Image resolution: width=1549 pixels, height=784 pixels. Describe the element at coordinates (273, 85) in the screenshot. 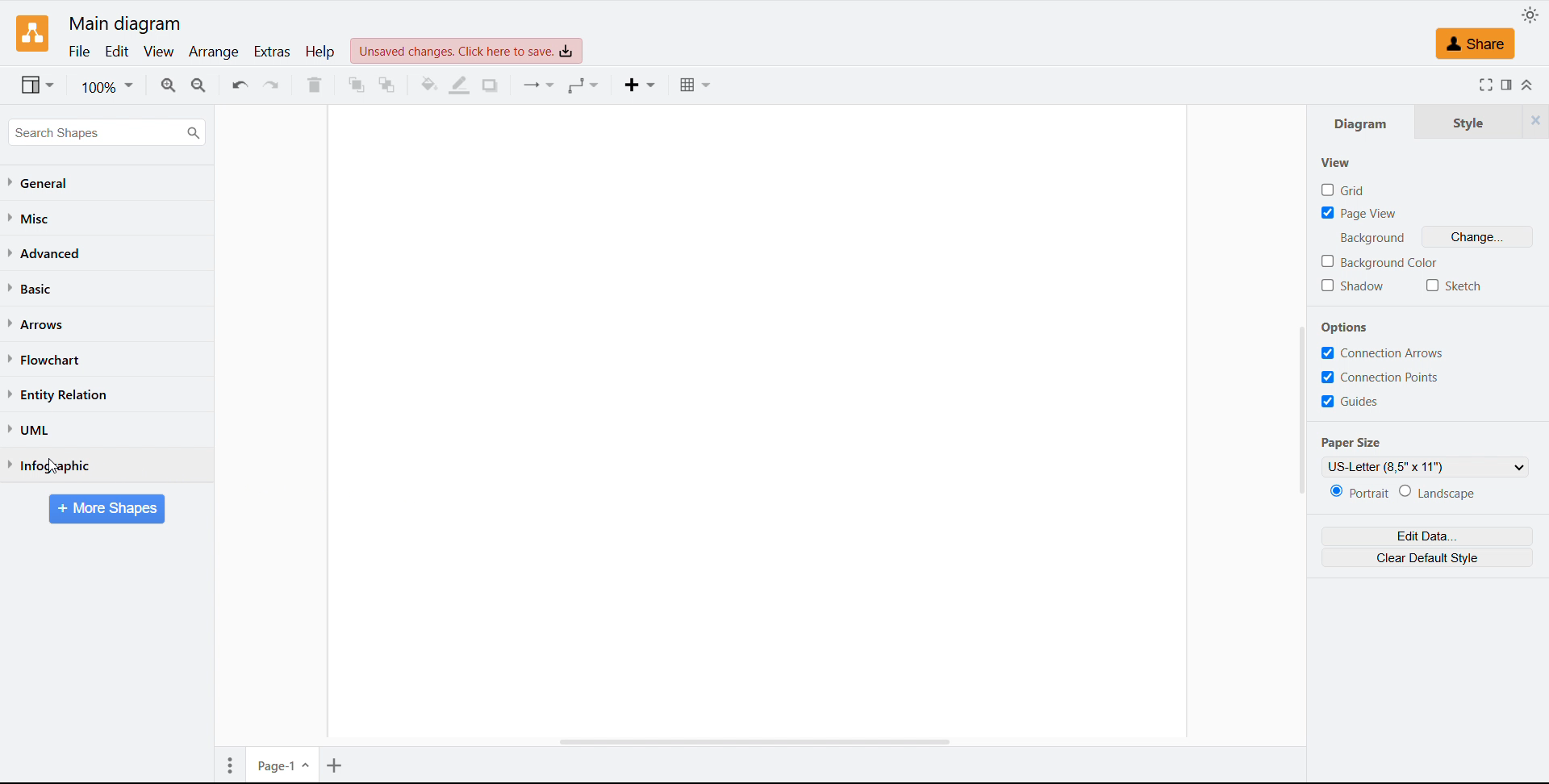

I see `Redo ` at that location.